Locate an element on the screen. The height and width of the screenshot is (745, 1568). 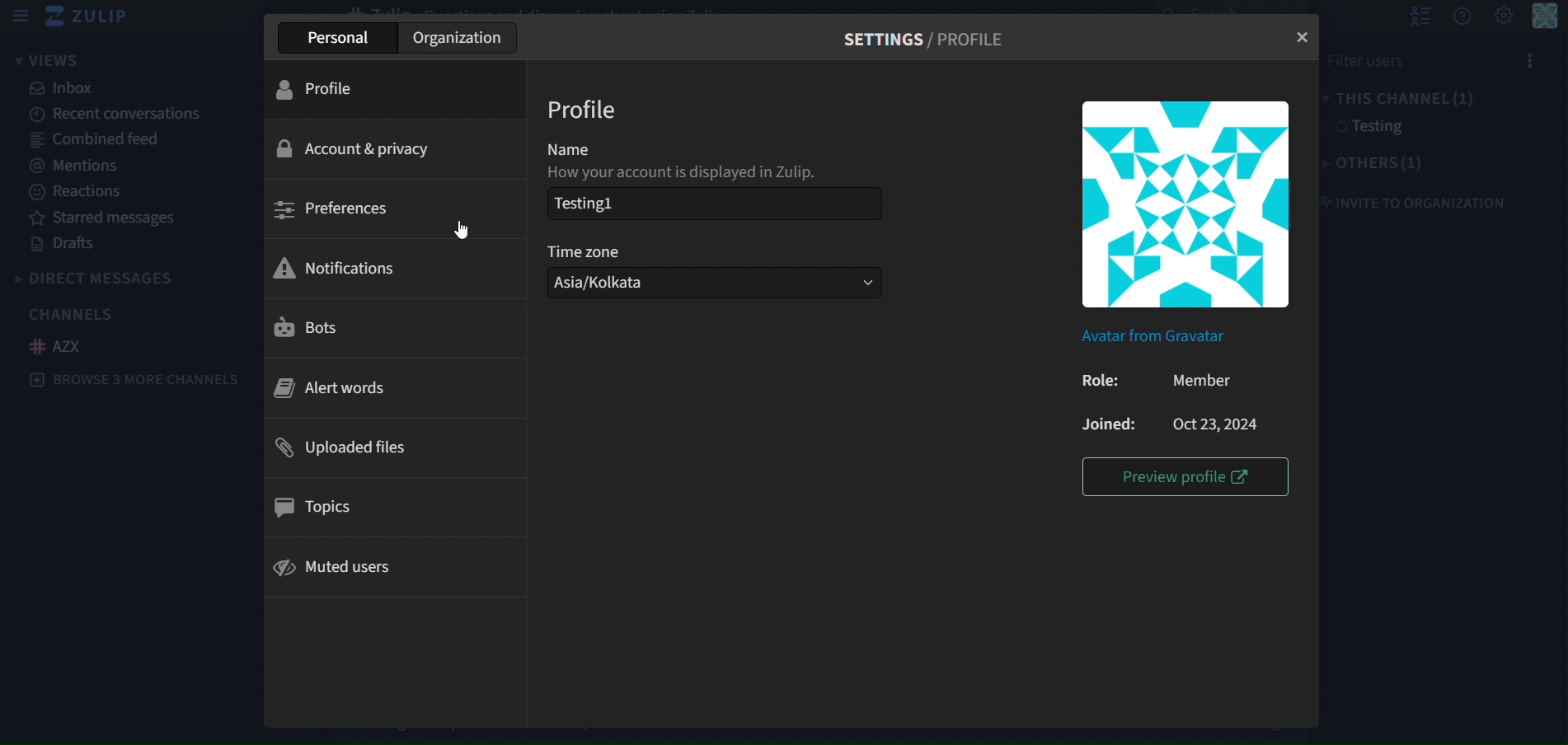
cursor is located at coordinates (465, 230).